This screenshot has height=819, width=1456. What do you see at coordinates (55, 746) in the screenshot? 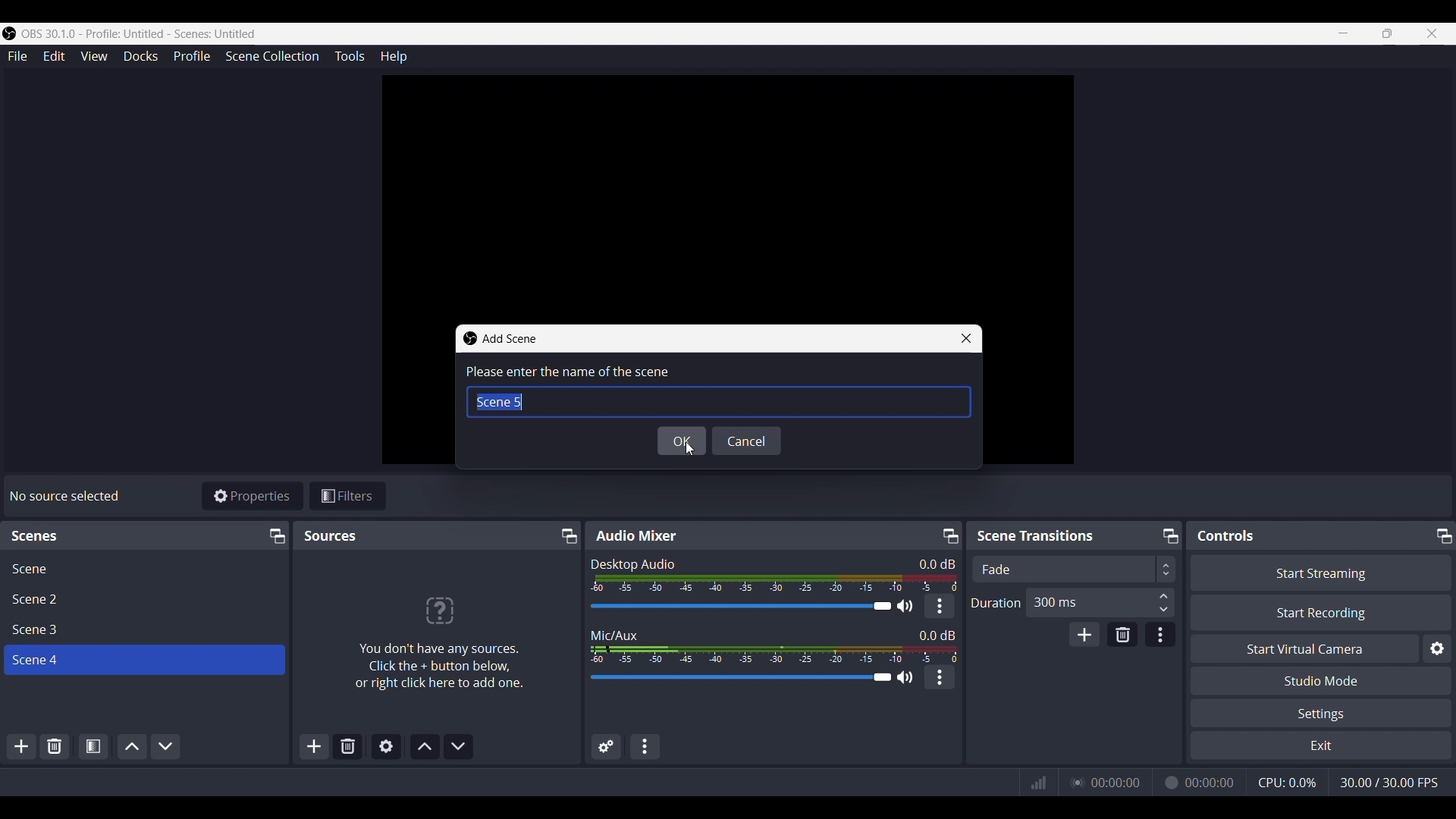
I see `Remove selected scene` at bounding box center [55, 746].